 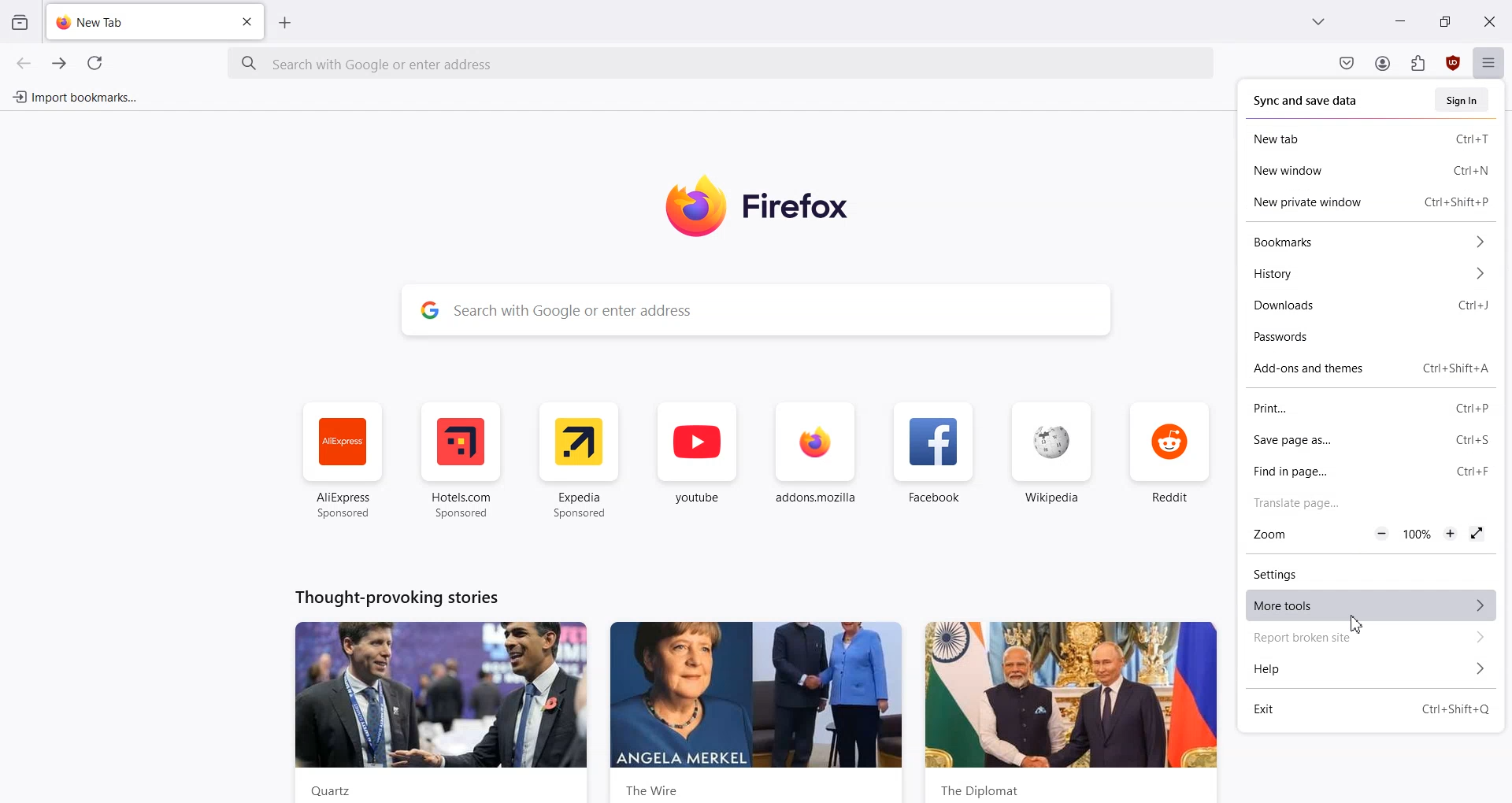 I want to click on New Tab, so click(x=135, y=22).